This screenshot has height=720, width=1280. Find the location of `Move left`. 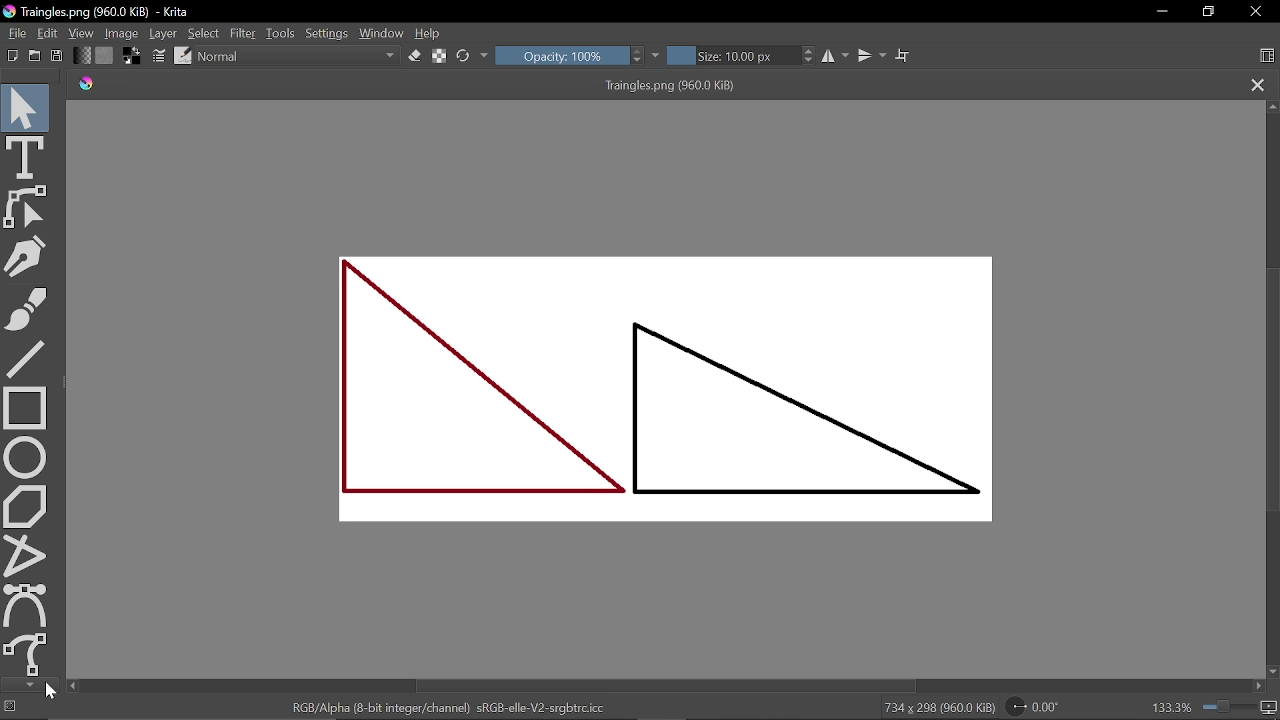

Move left is located at coordinates (74, 686).